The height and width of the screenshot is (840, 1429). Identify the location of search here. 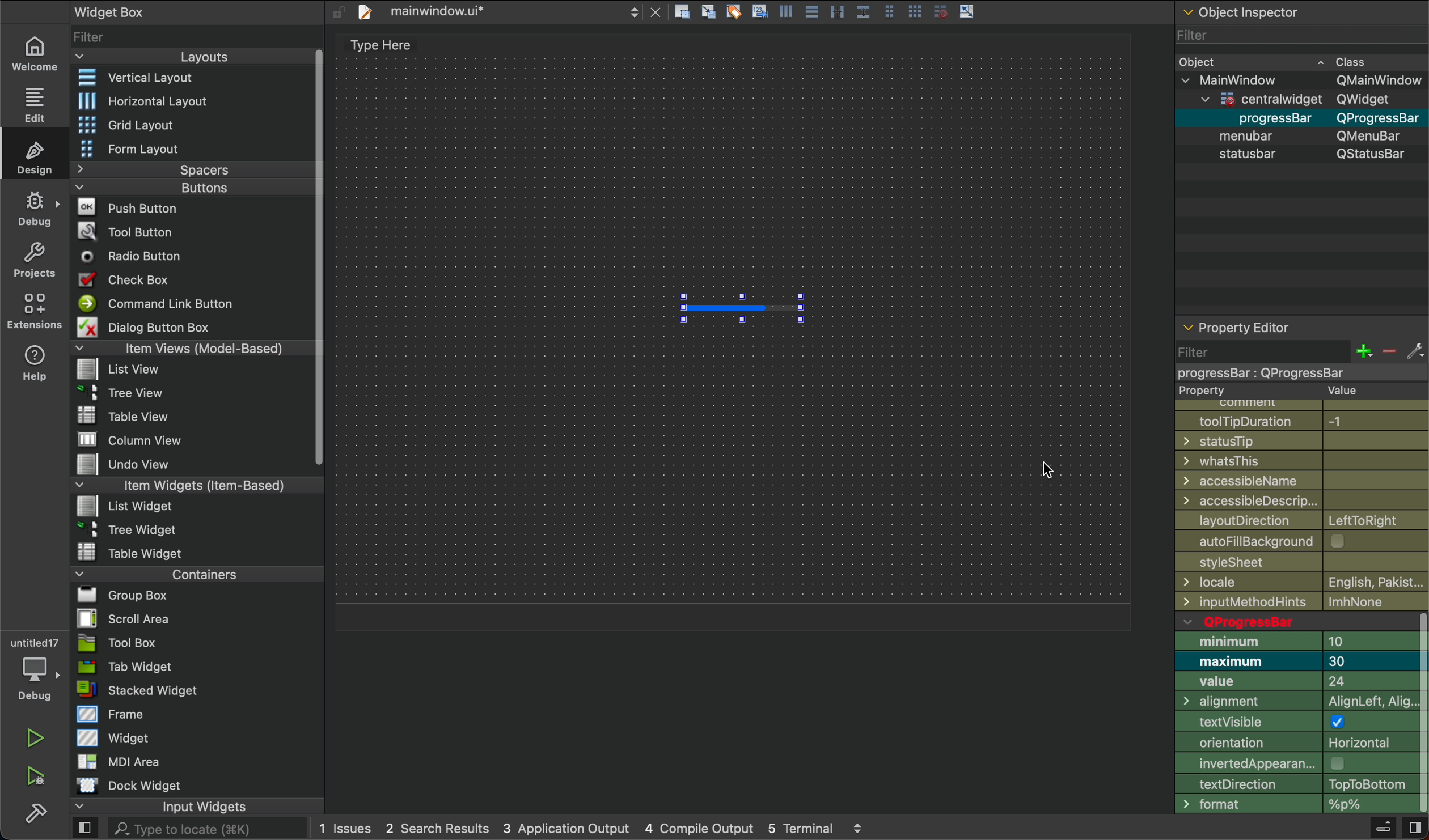
(206, 829).